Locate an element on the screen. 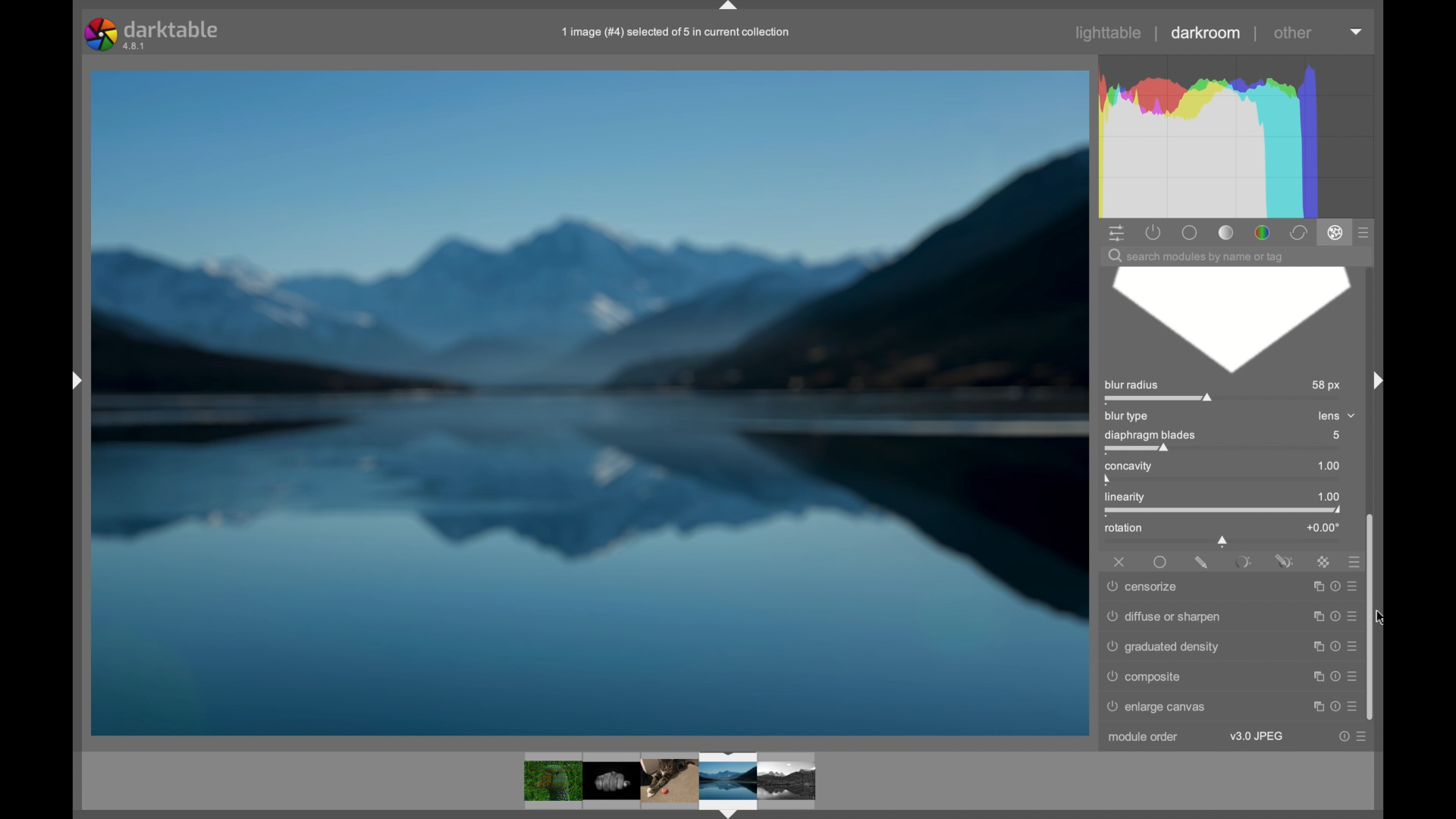 Image resolution: width=1456 pixels, height=819 pixels. darkroom is located at coordinates (1207, 33).